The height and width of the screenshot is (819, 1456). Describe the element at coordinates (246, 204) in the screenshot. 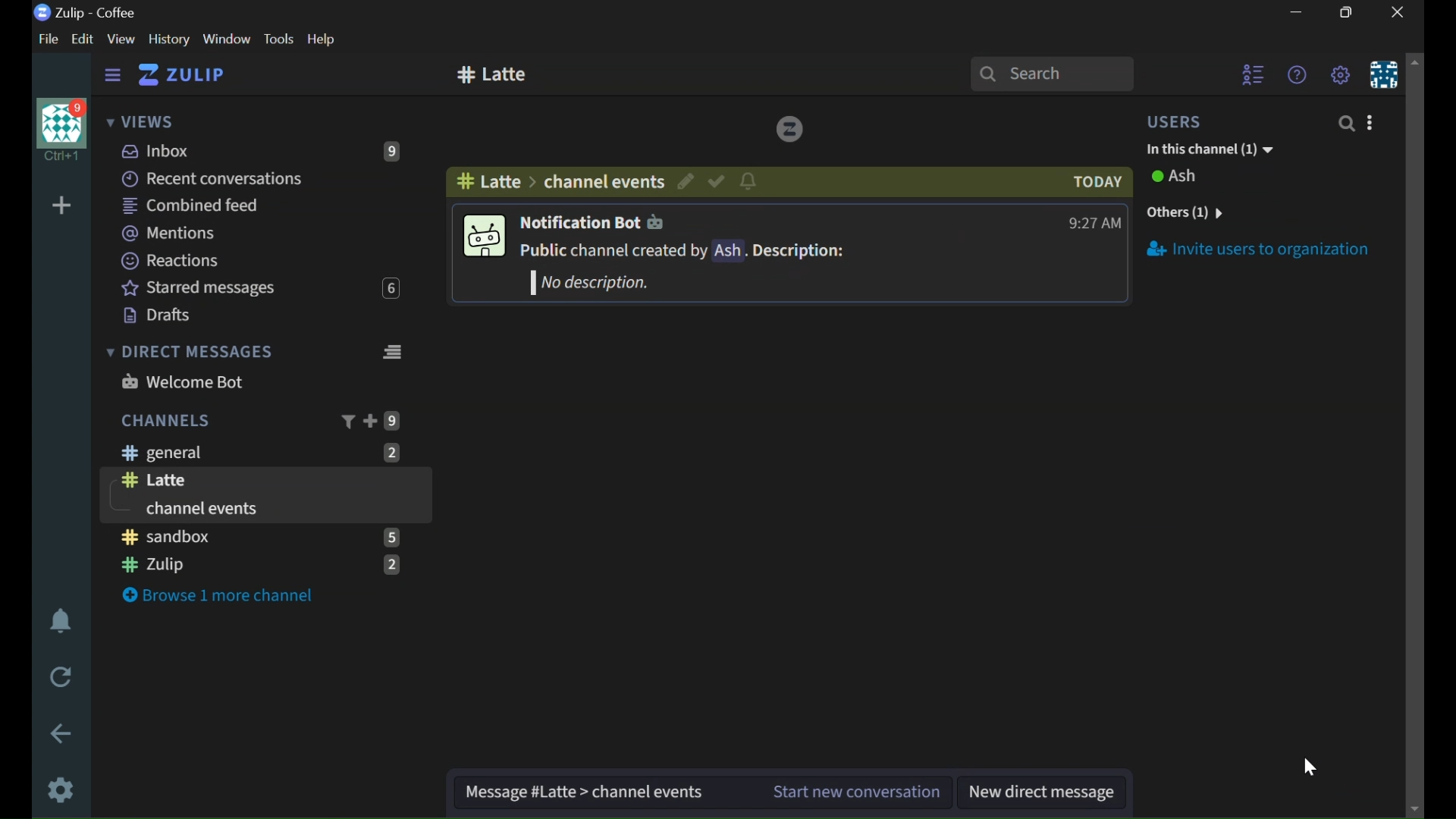

I see `COMBINED FEED` at that location.